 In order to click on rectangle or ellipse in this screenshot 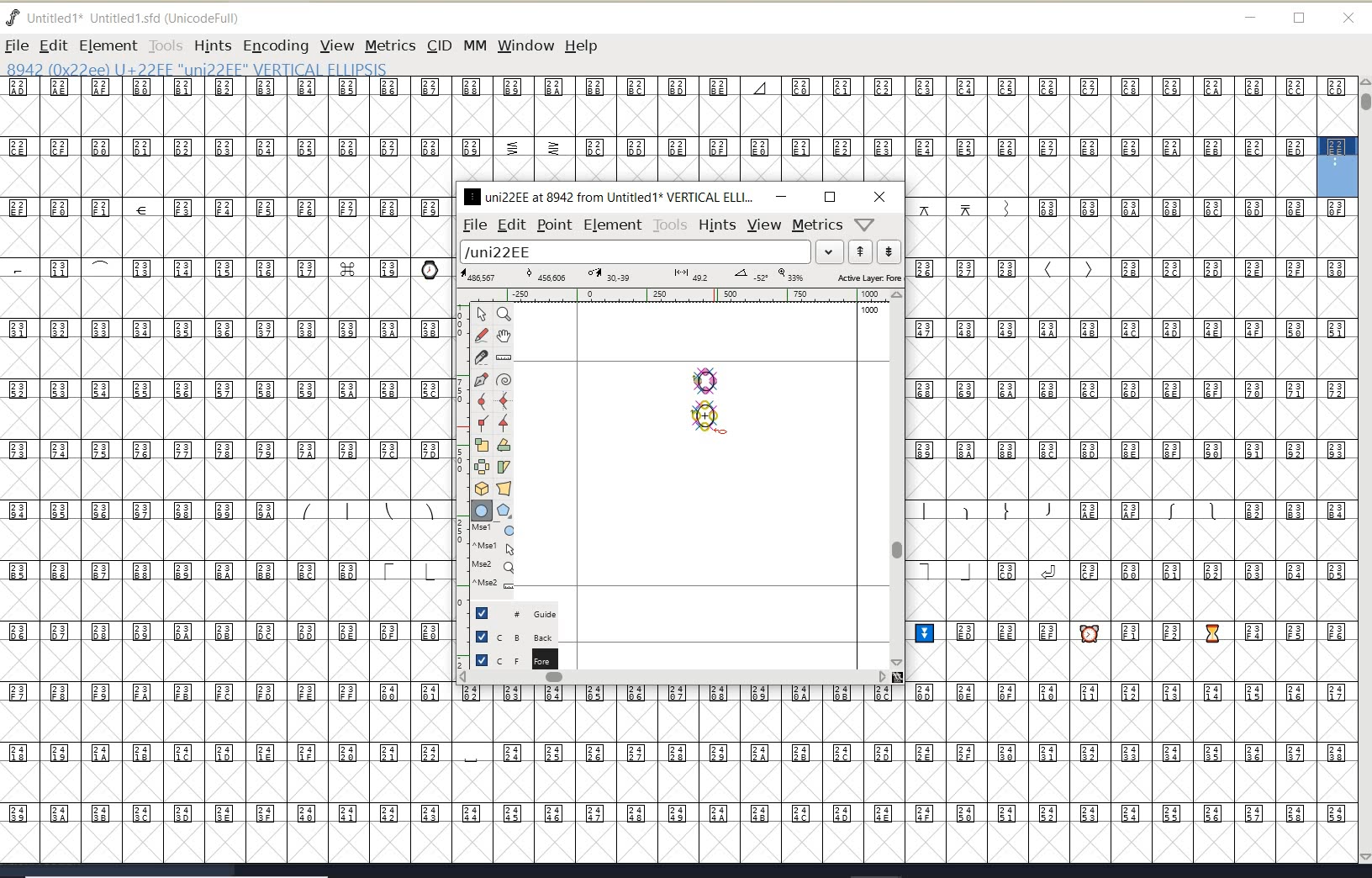, I will do `click(483, 511)`.